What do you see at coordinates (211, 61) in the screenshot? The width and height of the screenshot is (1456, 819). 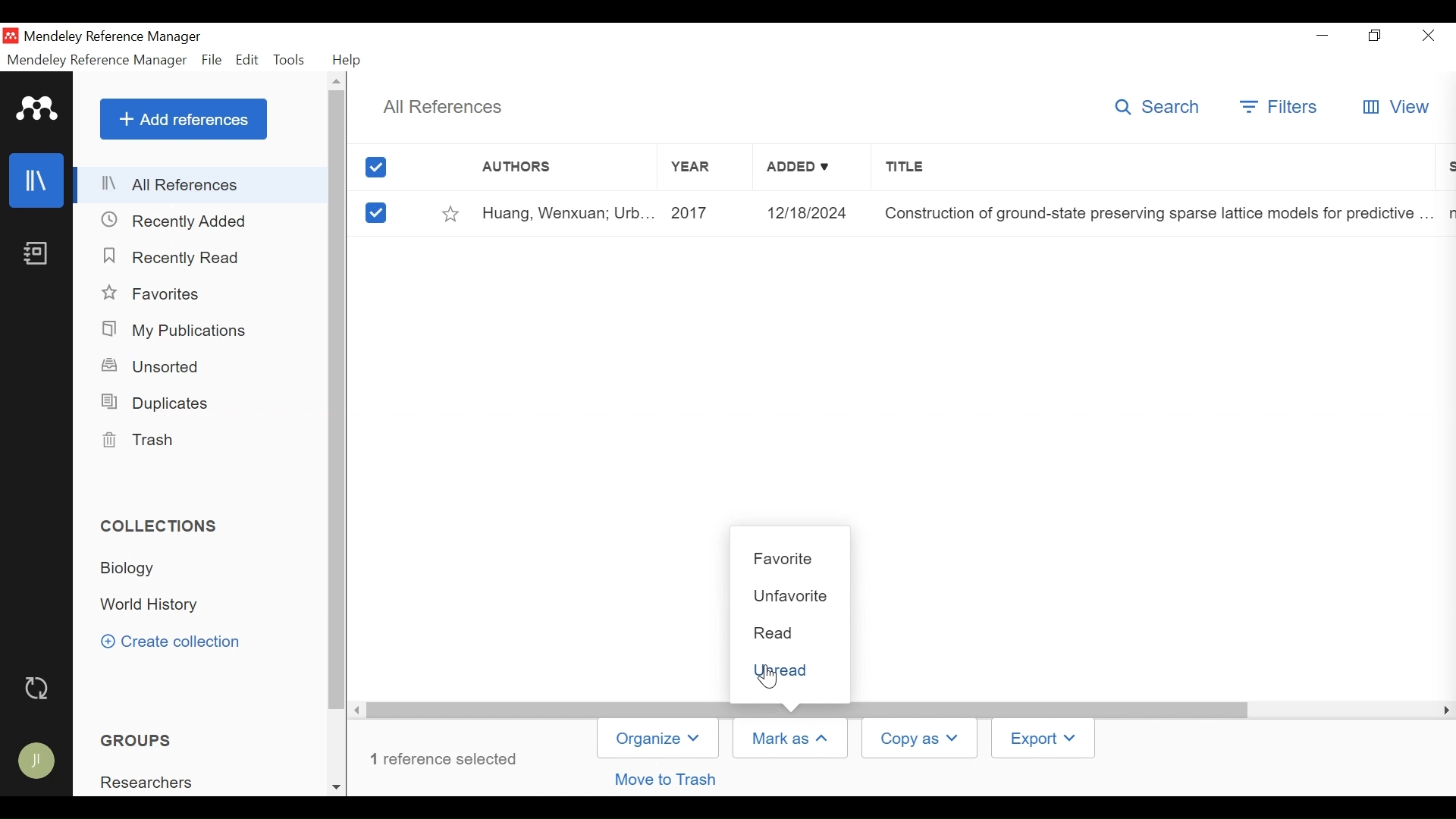 I see `File` at bounding box center [211, 61].